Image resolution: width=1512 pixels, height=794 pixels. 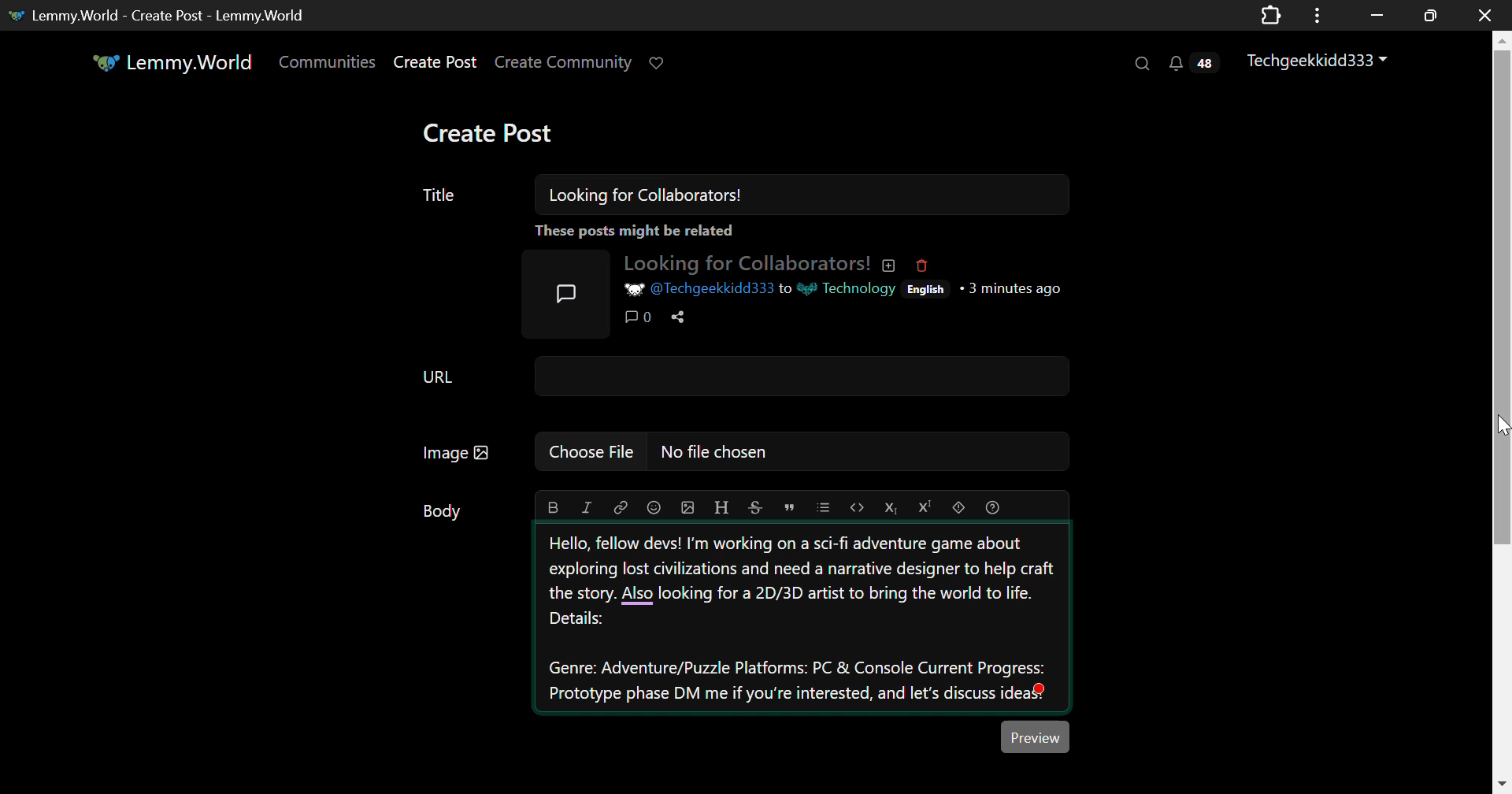 I want to click on formatting help, so click(x=992, y=508).